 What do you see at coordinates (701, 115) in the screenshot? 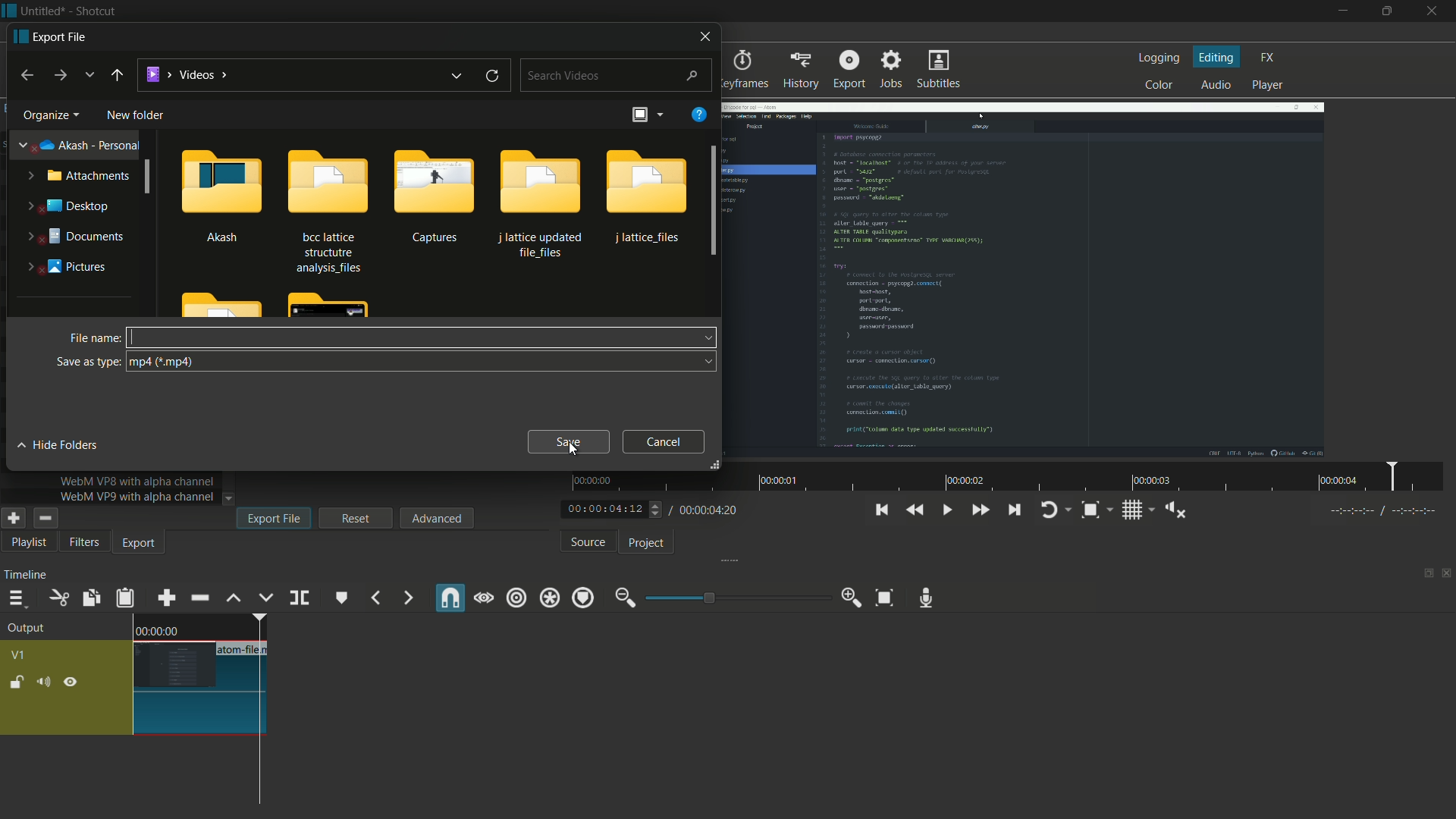
I see `elp` at bounding box center [701, 115].